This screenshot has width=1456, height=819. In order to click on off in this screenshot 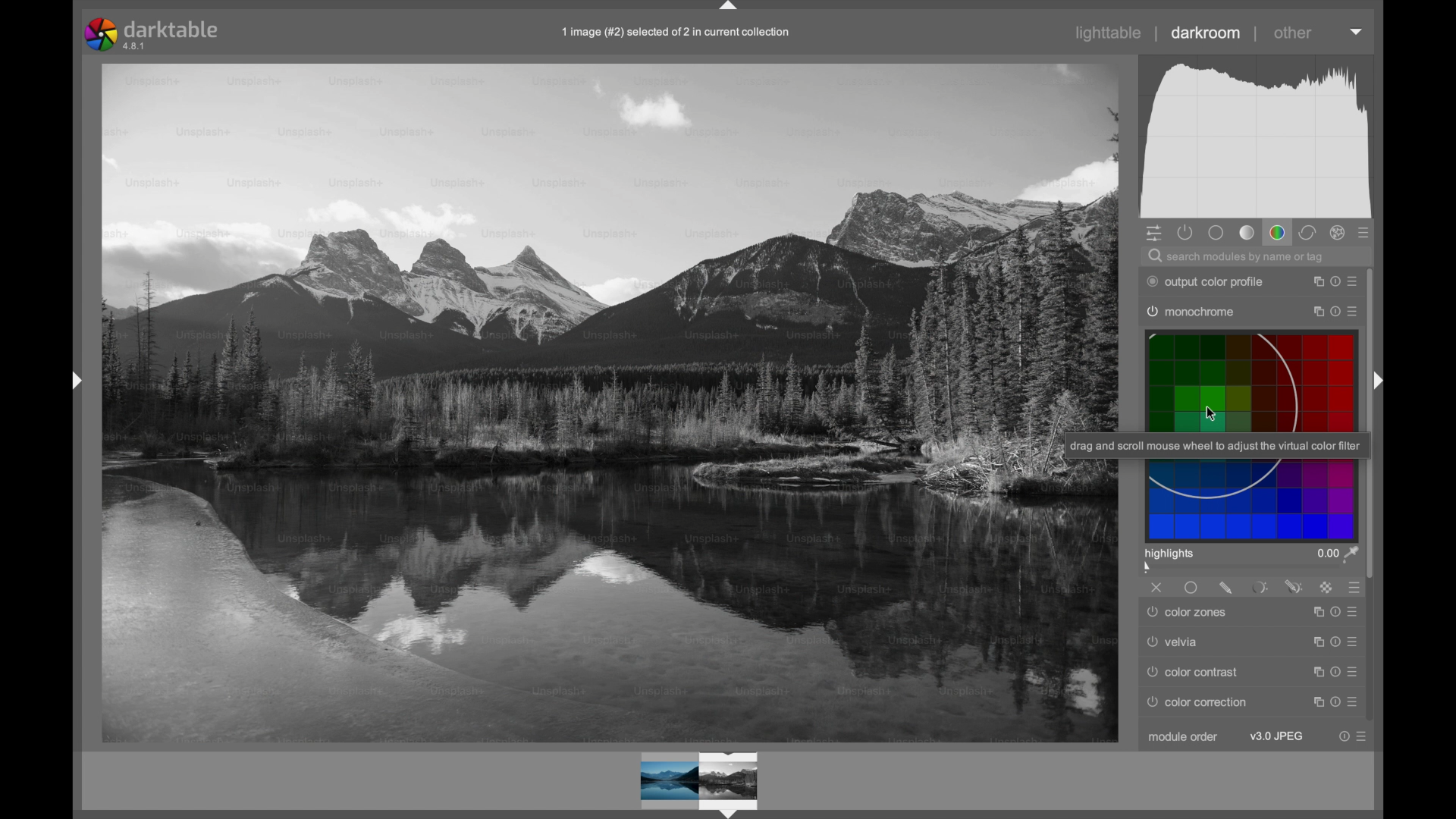, I will do `click(1157, 588)`.